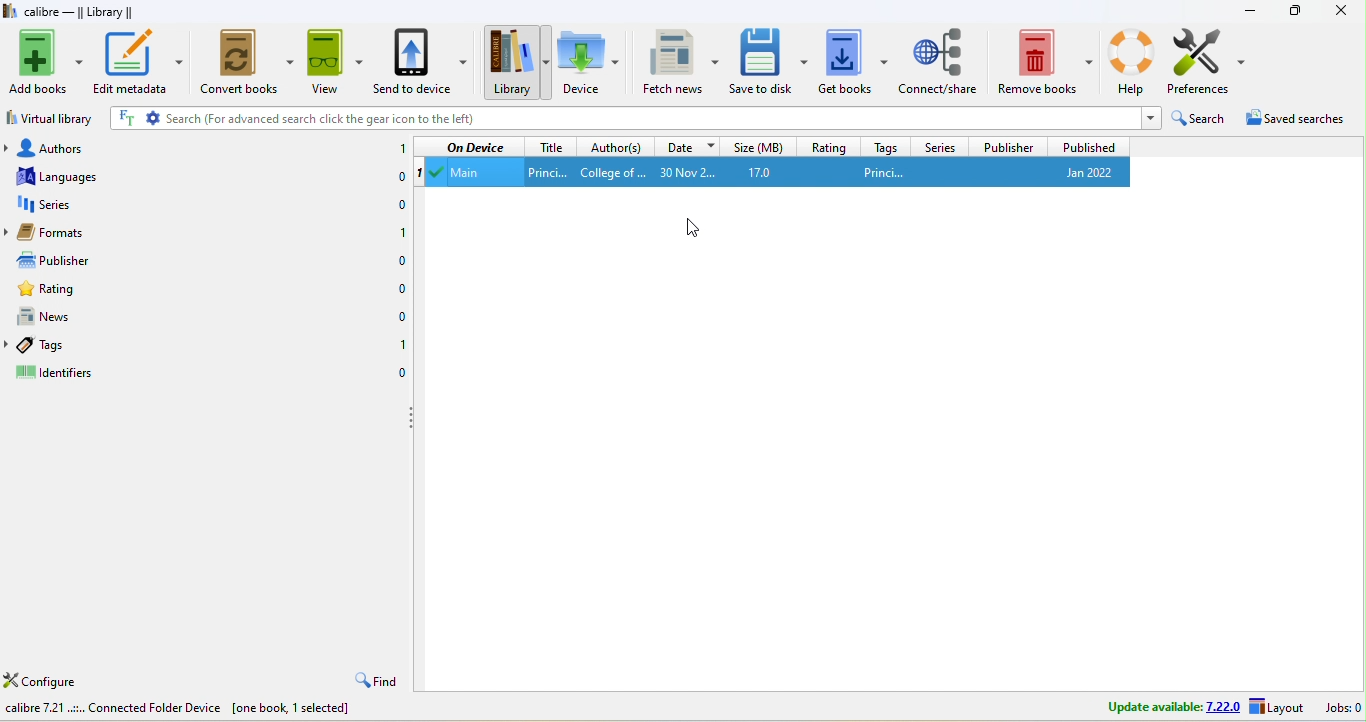 The height and width of the screenshot is (722, 1366). Describe the element at coordinates (882, 146) in the screenshot. I see `tags` at that location.